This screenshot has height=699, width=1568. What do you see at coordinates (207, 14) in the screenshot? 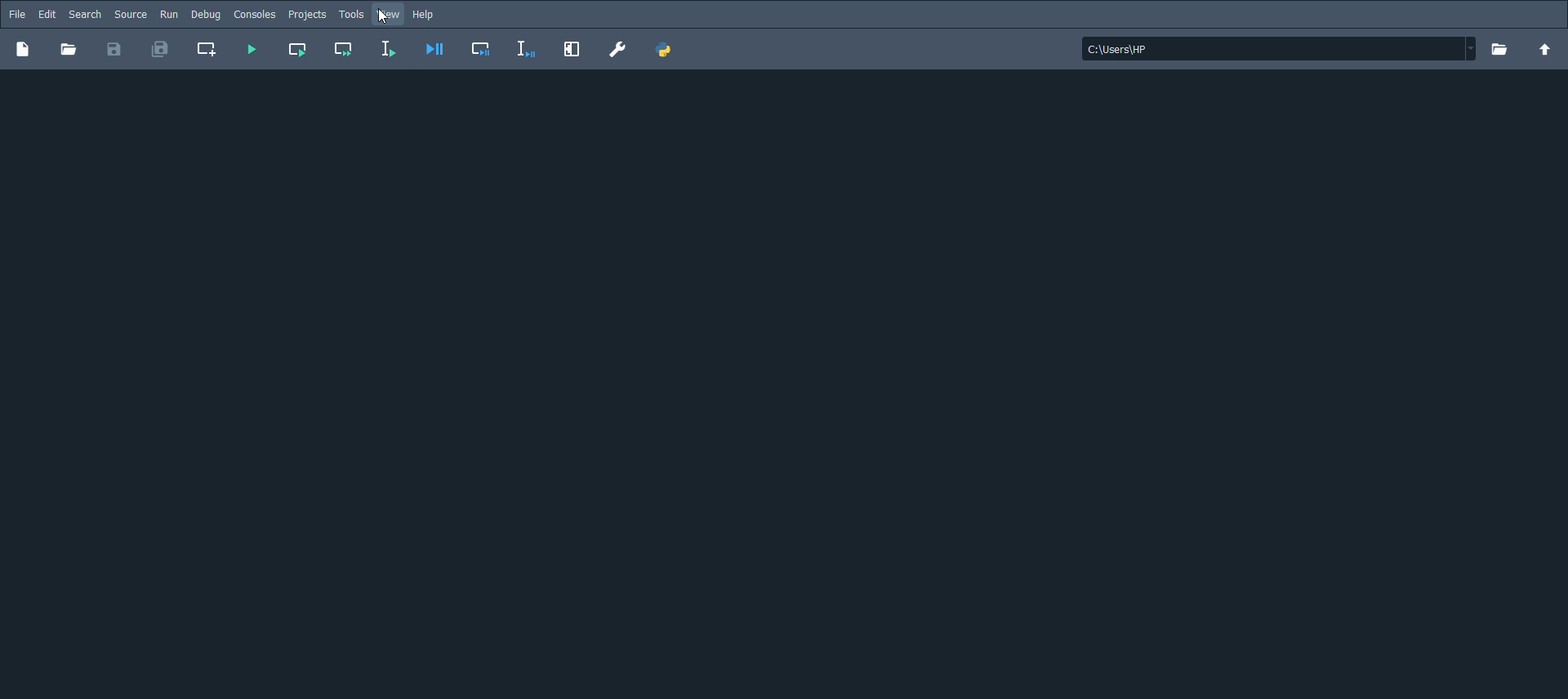
I see `Debug` at bounding box center [207, 14].